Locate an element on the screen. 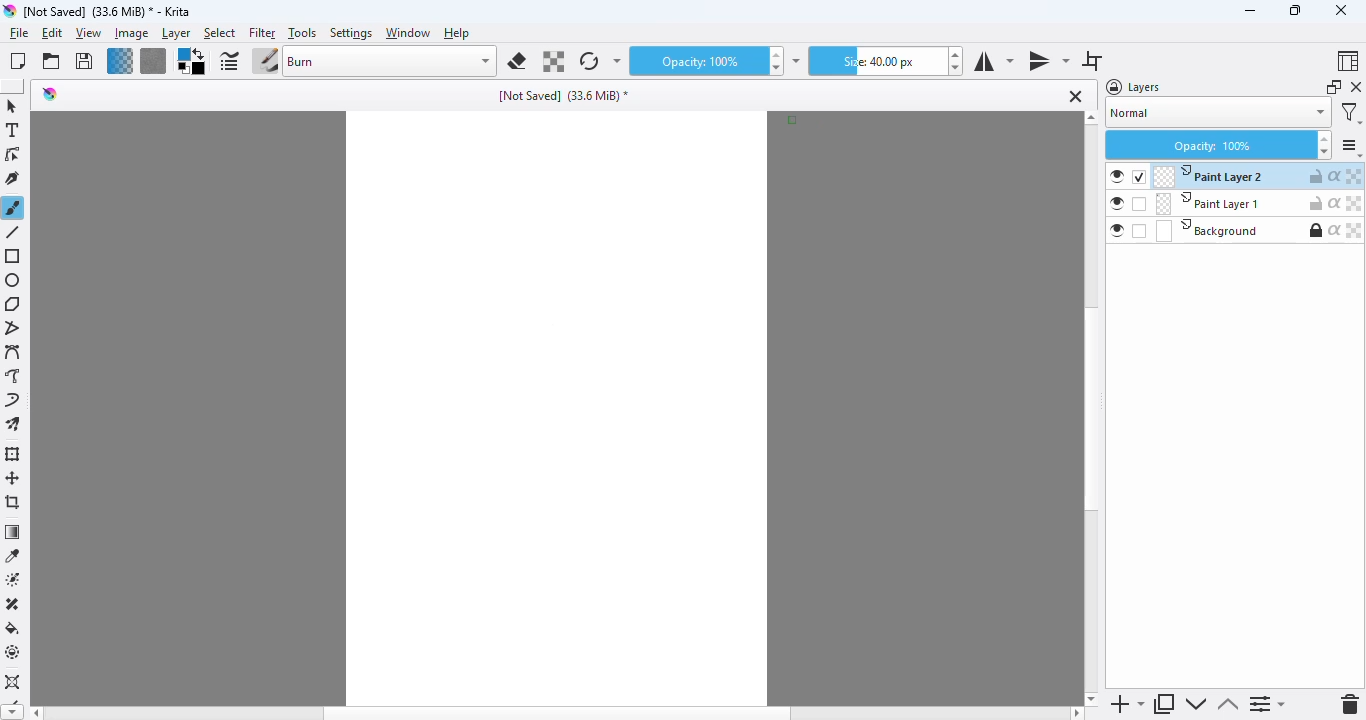  polygon tool is located at coordinates (13, 304).